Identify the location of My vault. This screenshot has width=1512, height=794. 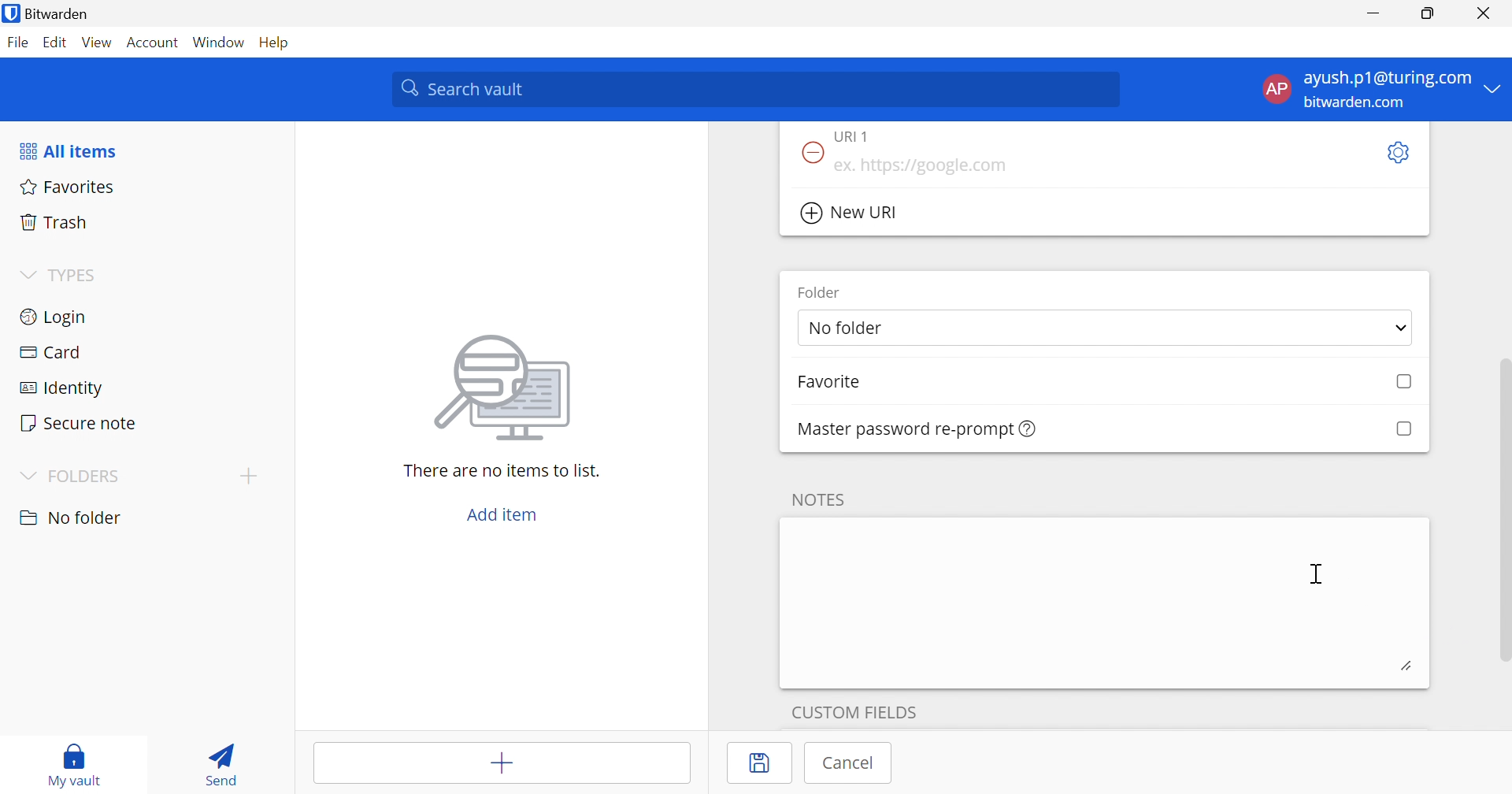
(75, 757).